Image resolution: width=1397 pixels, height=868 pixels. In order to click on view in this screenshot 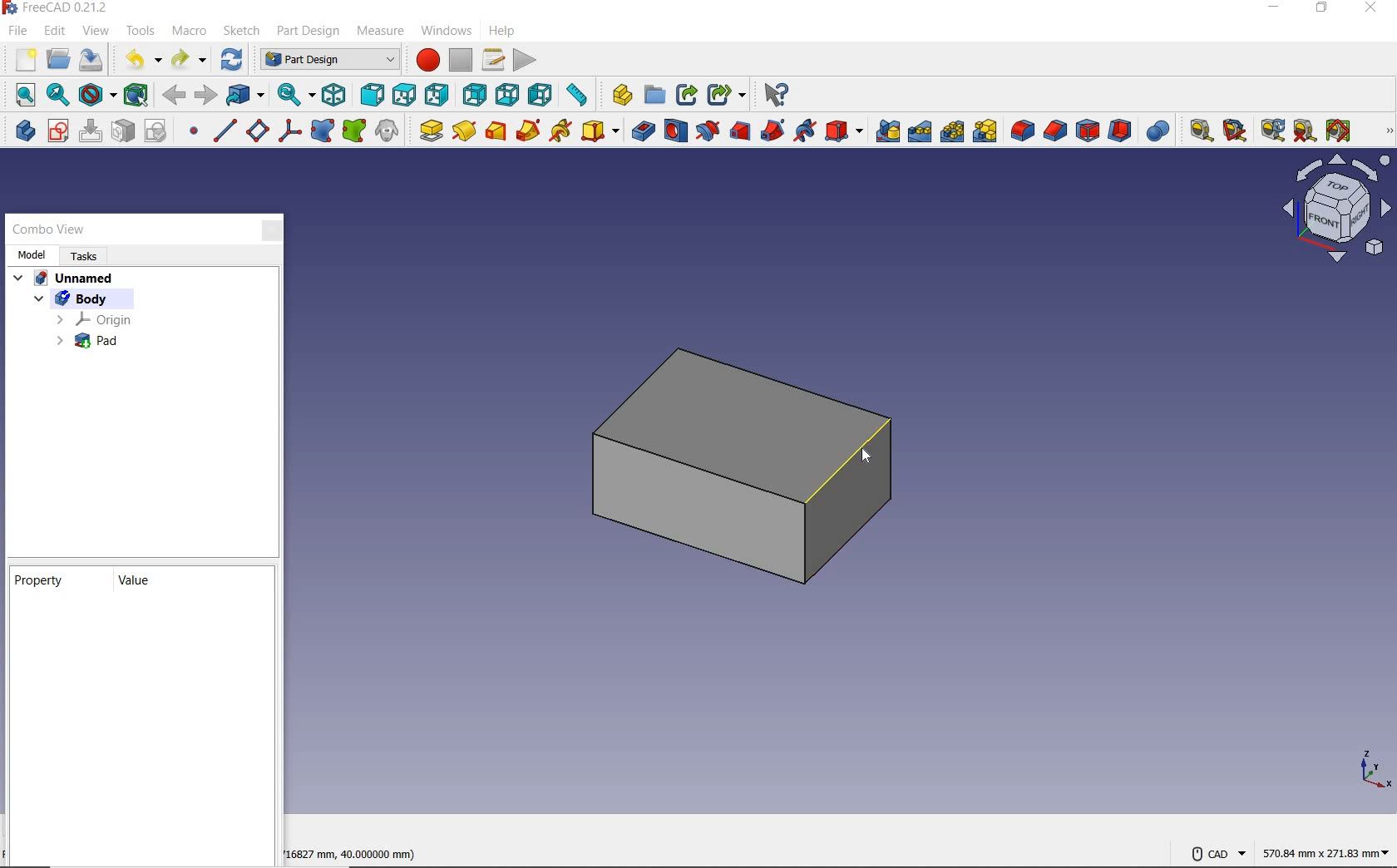, I will do `click(97, 32)`.